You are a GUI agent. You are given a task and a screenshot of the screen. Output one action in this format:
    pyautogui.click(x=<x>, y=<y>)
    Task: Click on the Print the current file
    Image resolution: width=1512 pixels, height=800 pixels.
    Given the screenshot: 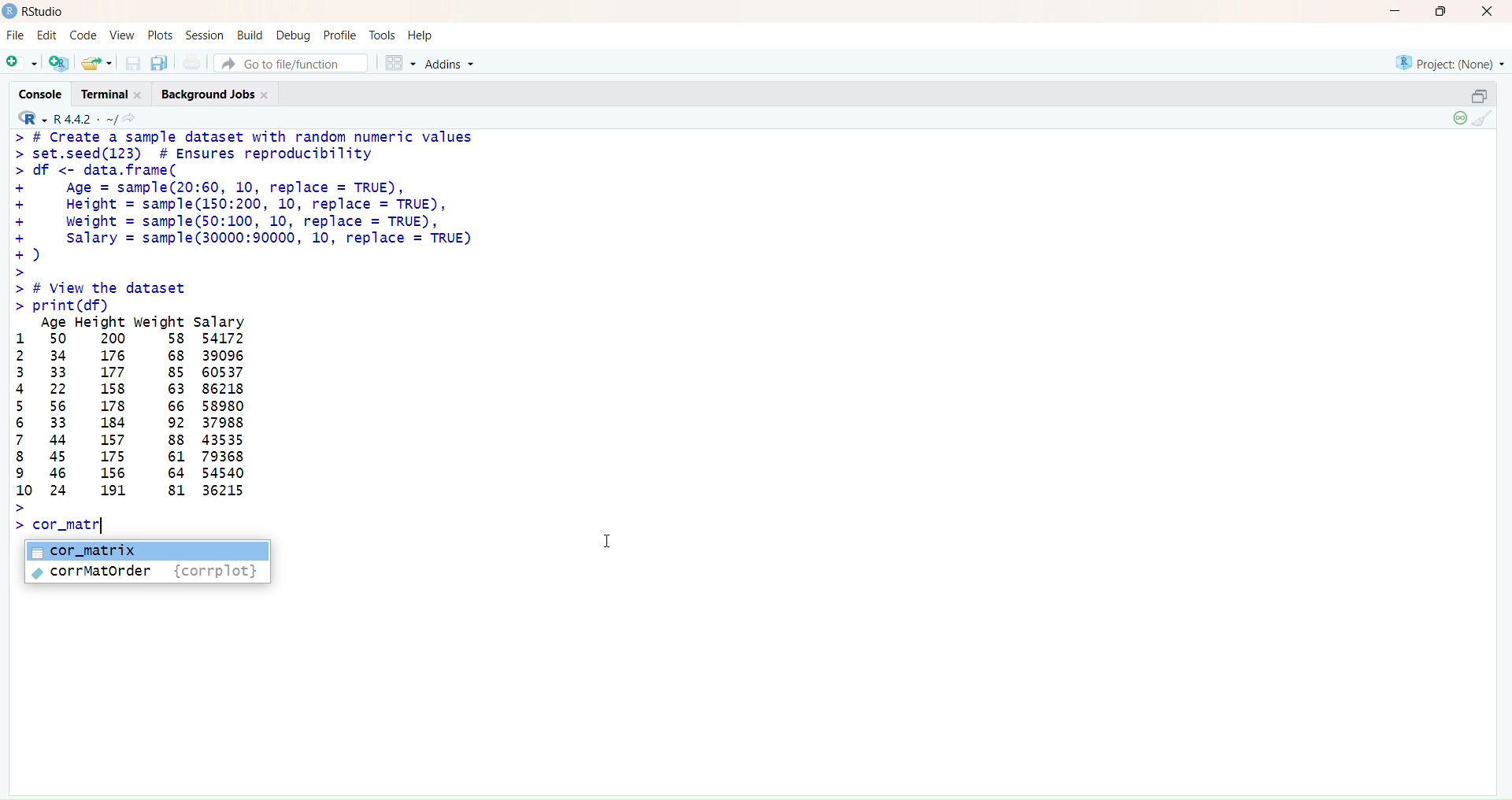 What is the action you would take?
    pyautogui.click(x=193, y=62)
    